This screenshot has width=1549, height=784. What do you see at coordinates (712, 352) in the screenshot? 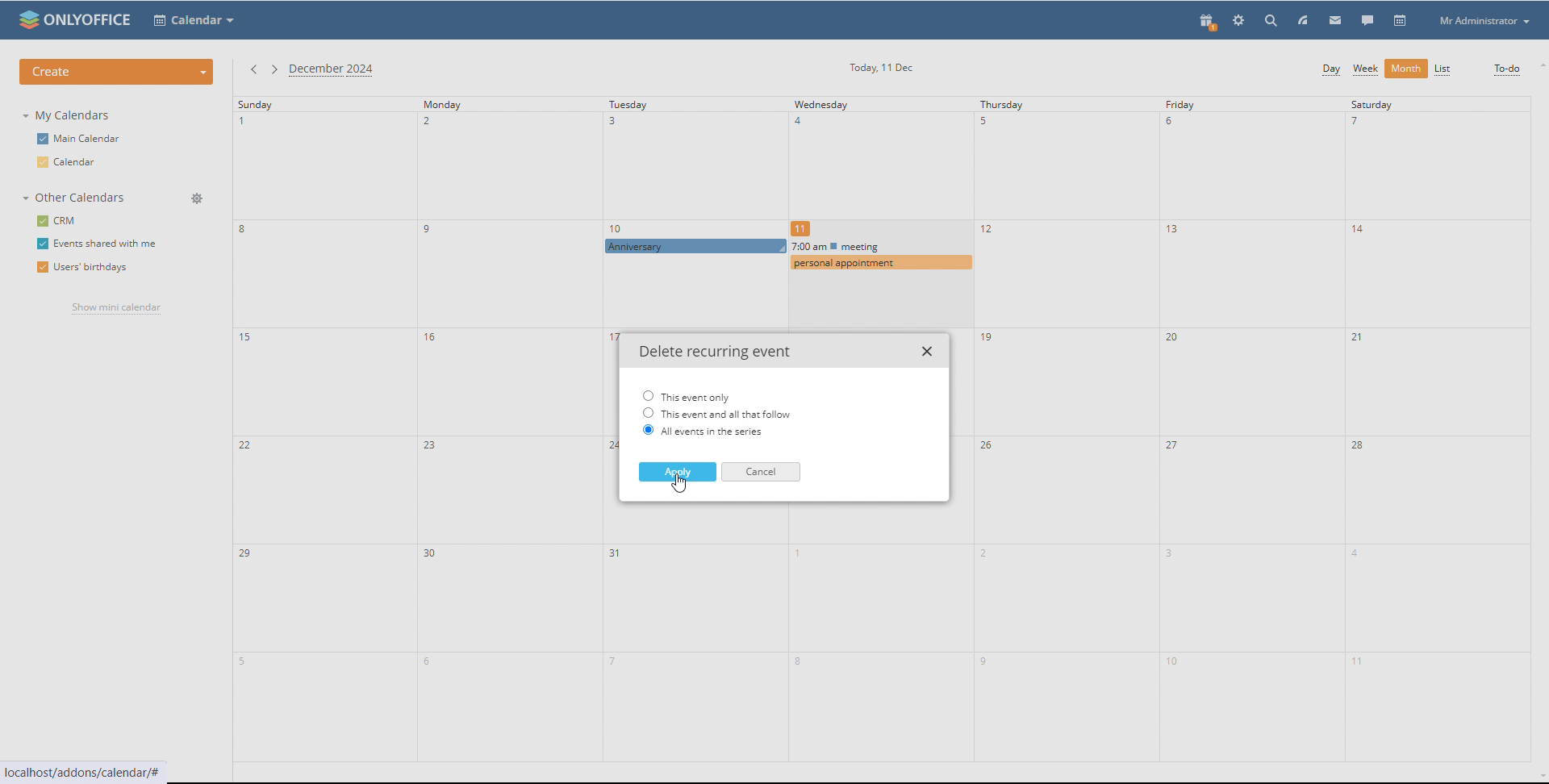
I see `delete recurring event` at bounding box center [712, 352].